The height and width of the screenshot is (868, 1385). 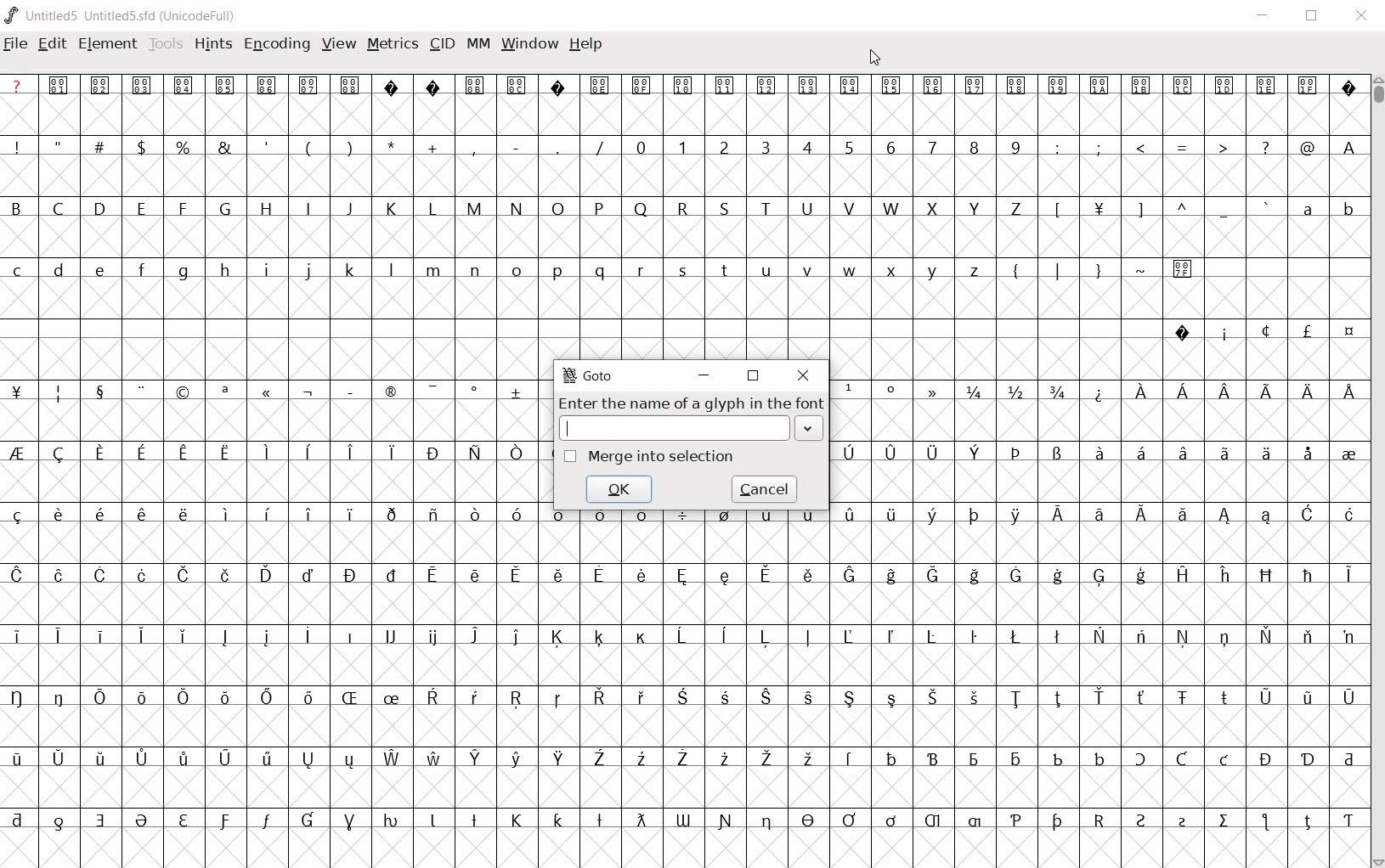 What do you see at coordinates (100, 820) in the screenshot?
I see `Symbol` at bounding box center [100, 820].